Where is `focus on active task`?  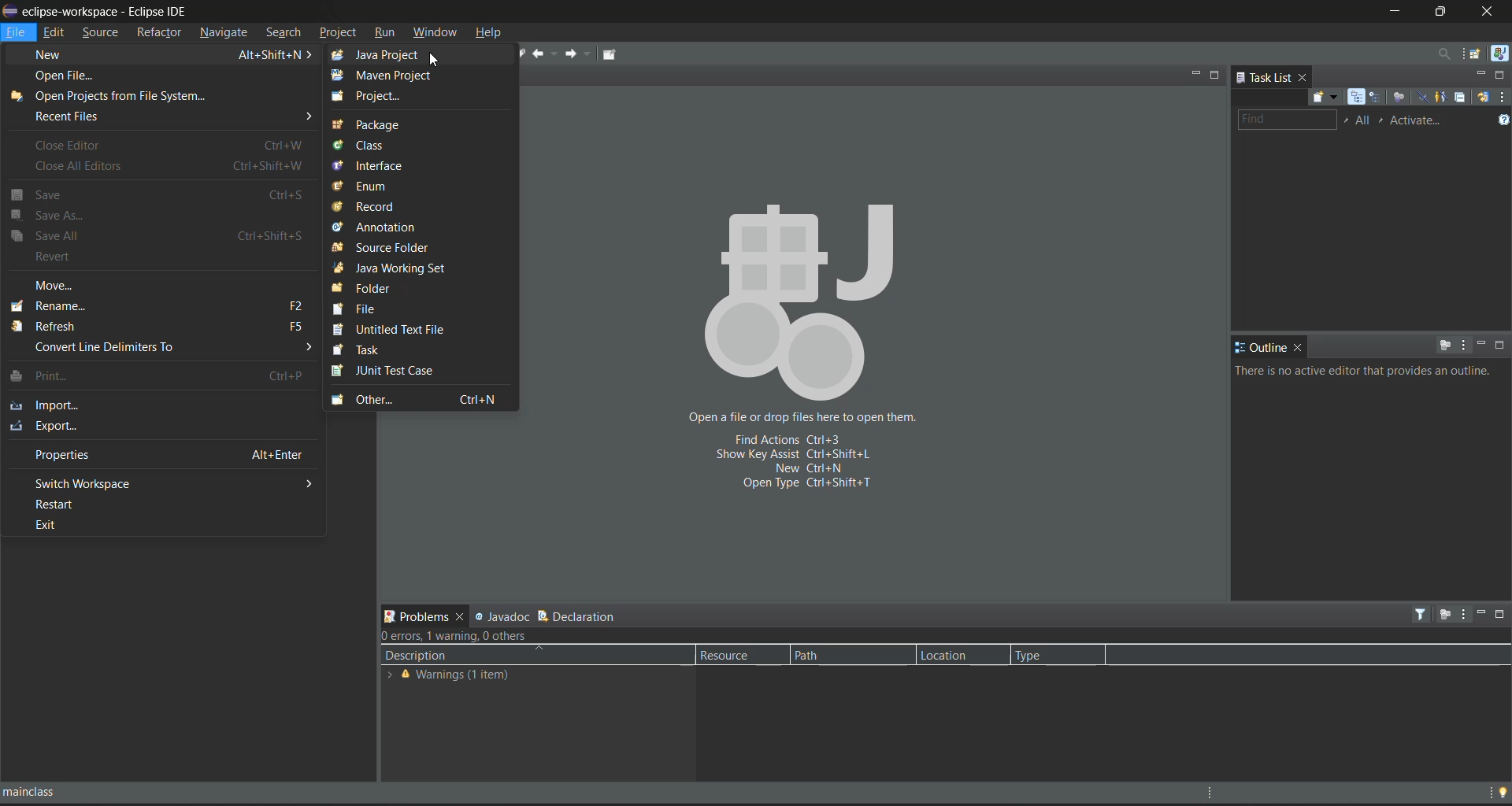
focus on active task is located at coordinates (1445, 345).